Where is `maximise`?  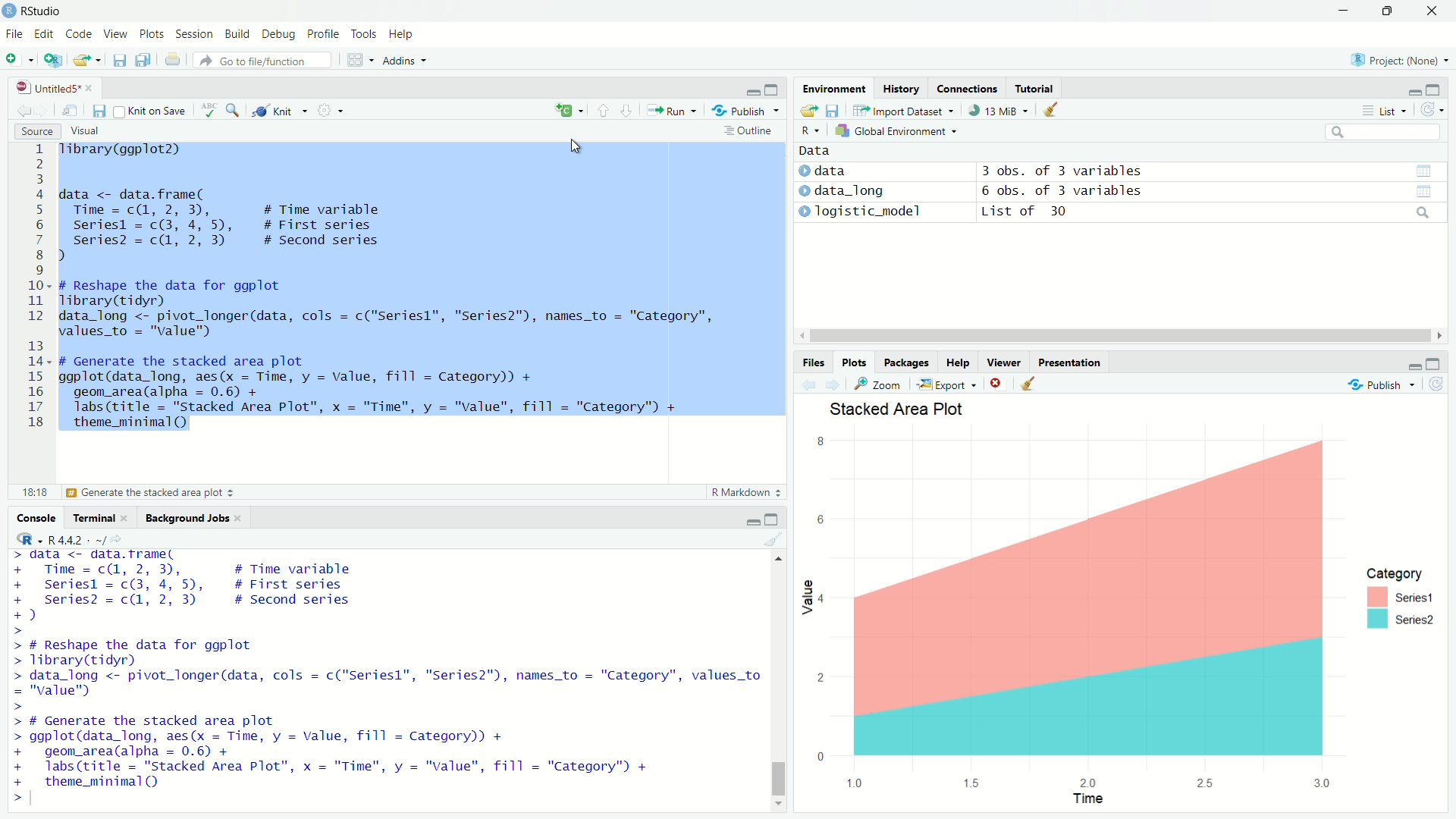 maximise is located at coordinates (1434, 361).